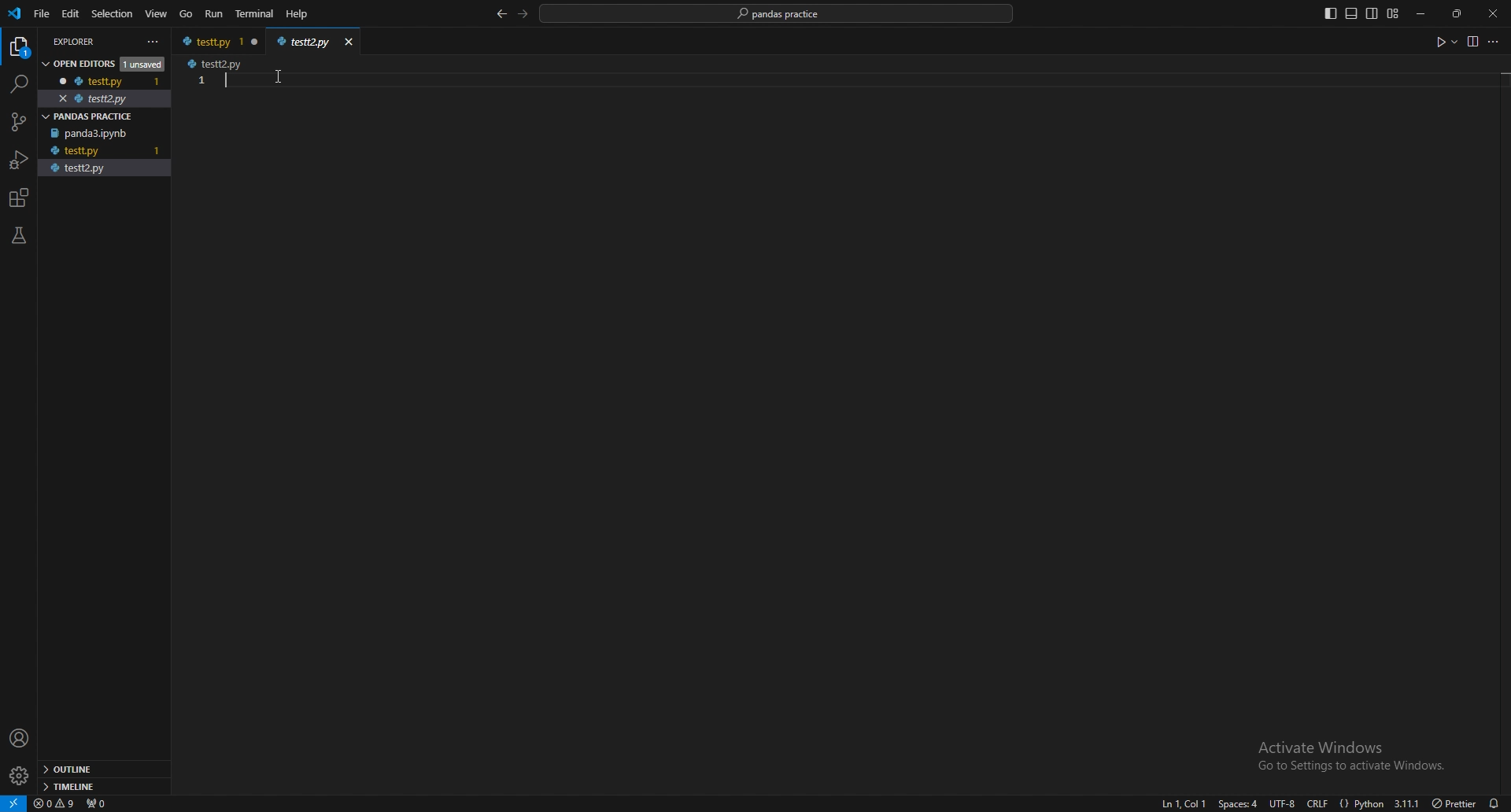 The width and height of the screenshot is (1511, 812). Describe the element at coordinates (1236, 803) in the screenshot. I see `space:4` at that location.